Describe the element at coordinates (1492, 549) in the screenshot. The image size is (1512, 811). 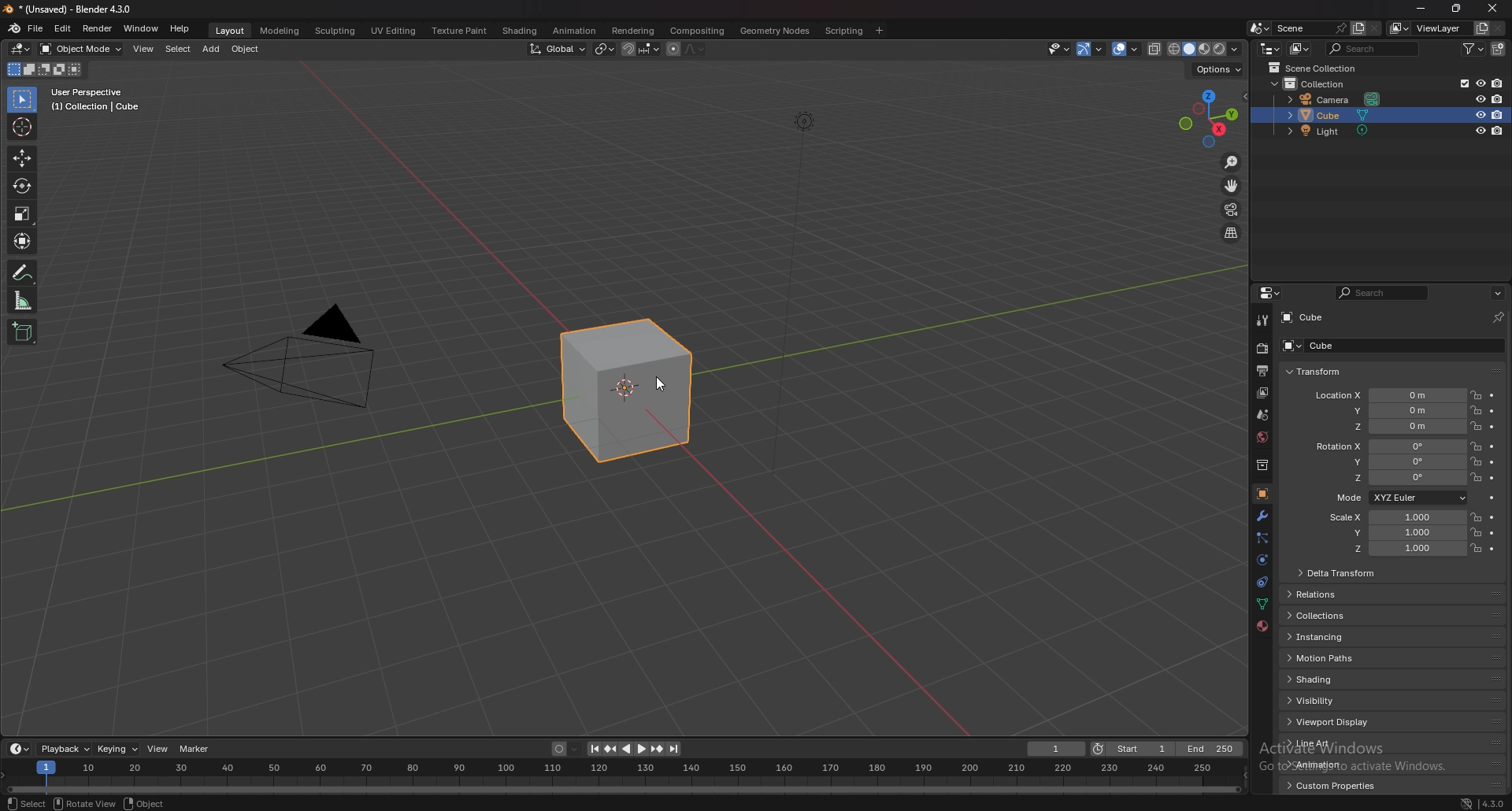
I see `animate property` at that location.